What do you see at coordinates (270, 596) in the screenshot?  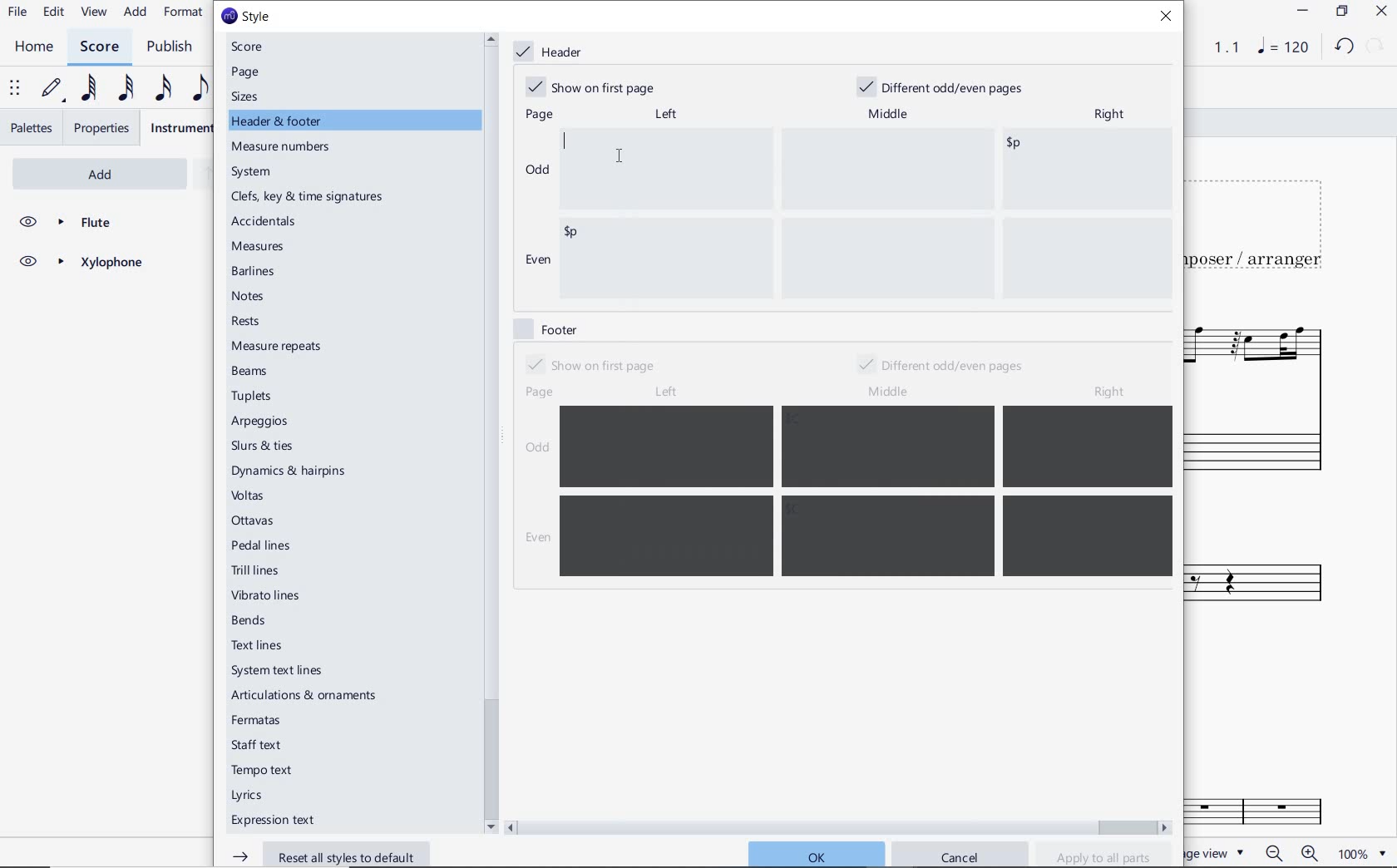 I see `vibrato lines` at bounding box center [270, 596].